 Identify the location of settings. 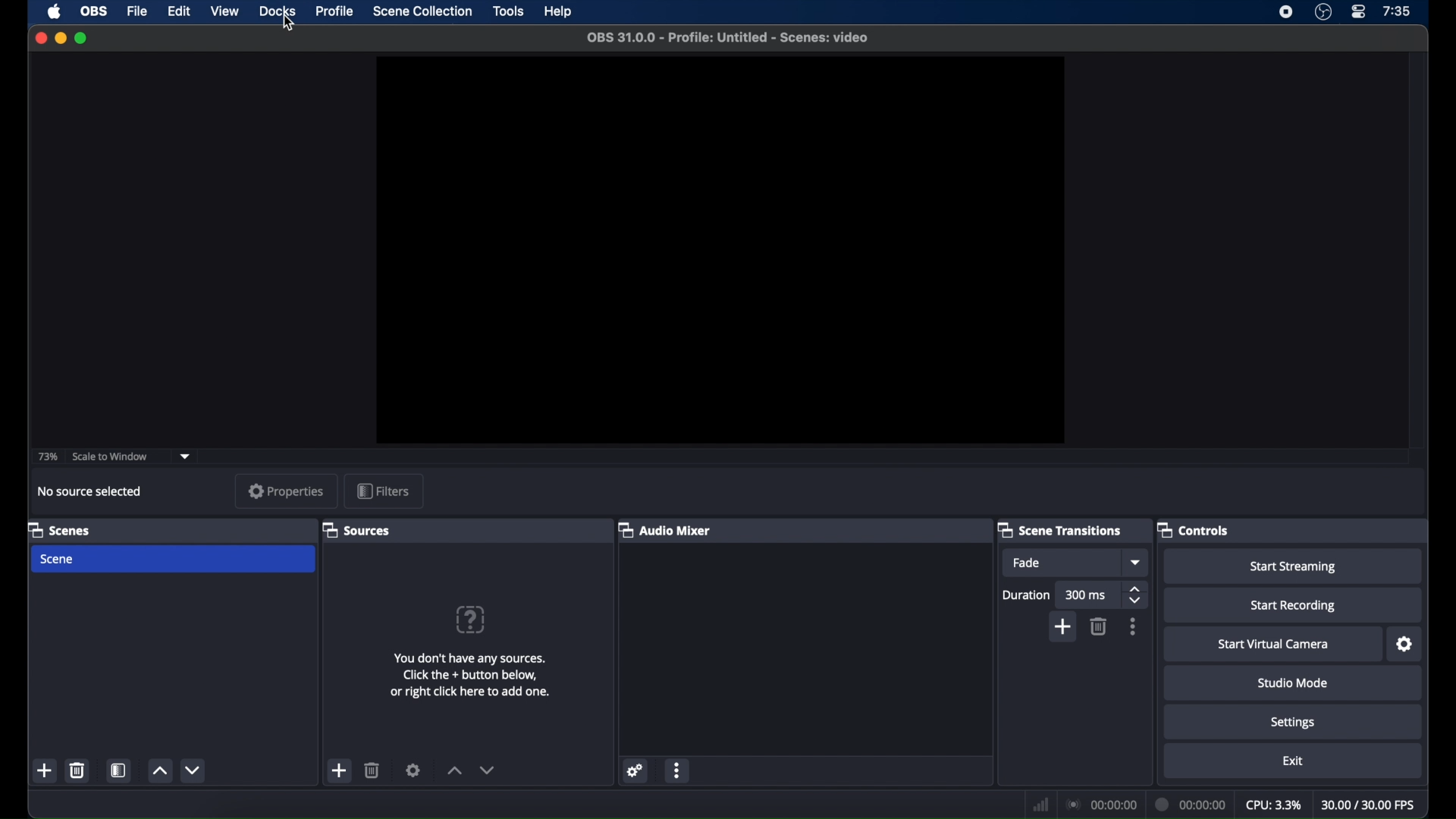
(1403, 645).